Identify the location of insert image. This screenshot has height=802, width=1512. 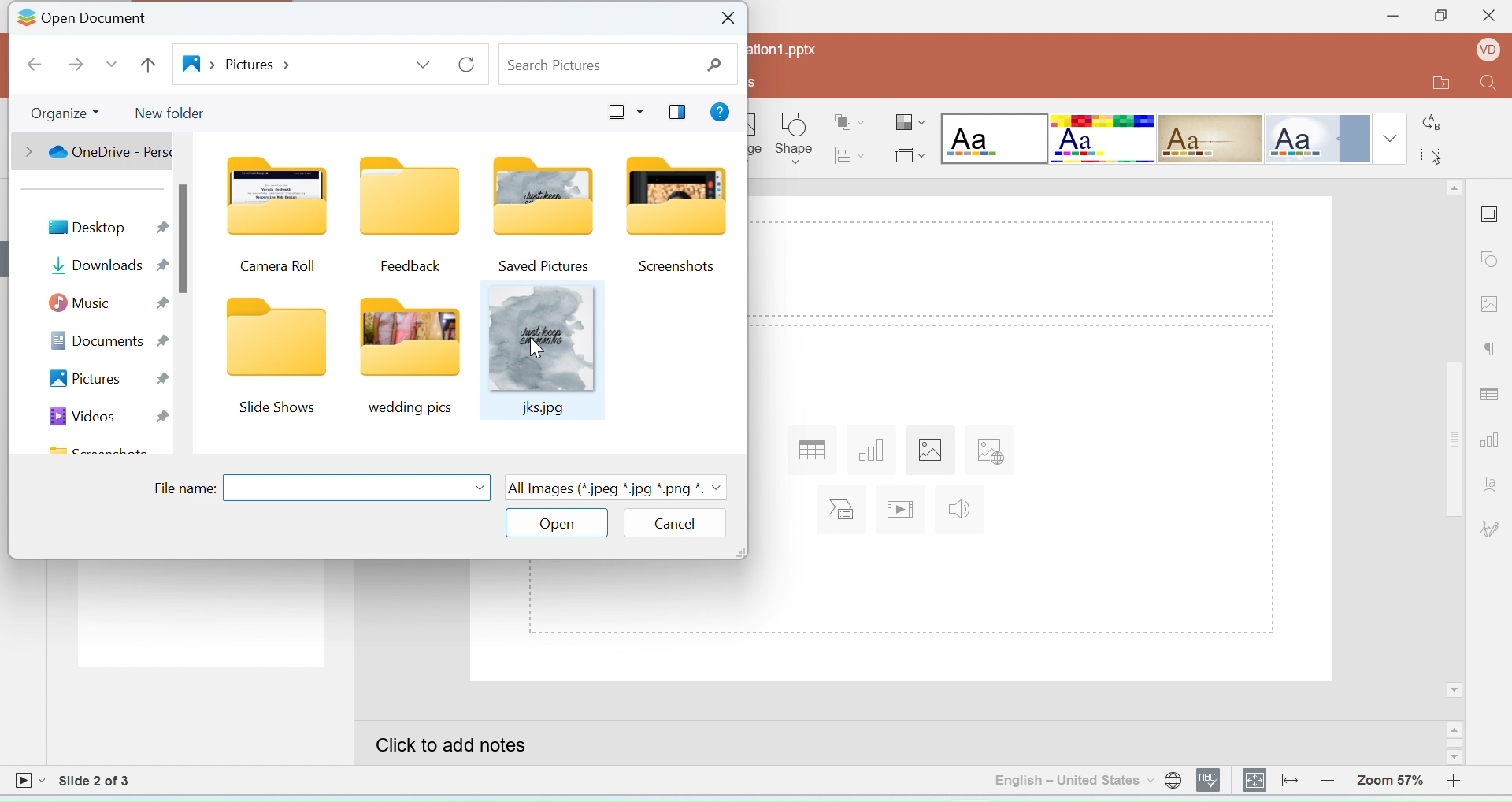
(929, 451).